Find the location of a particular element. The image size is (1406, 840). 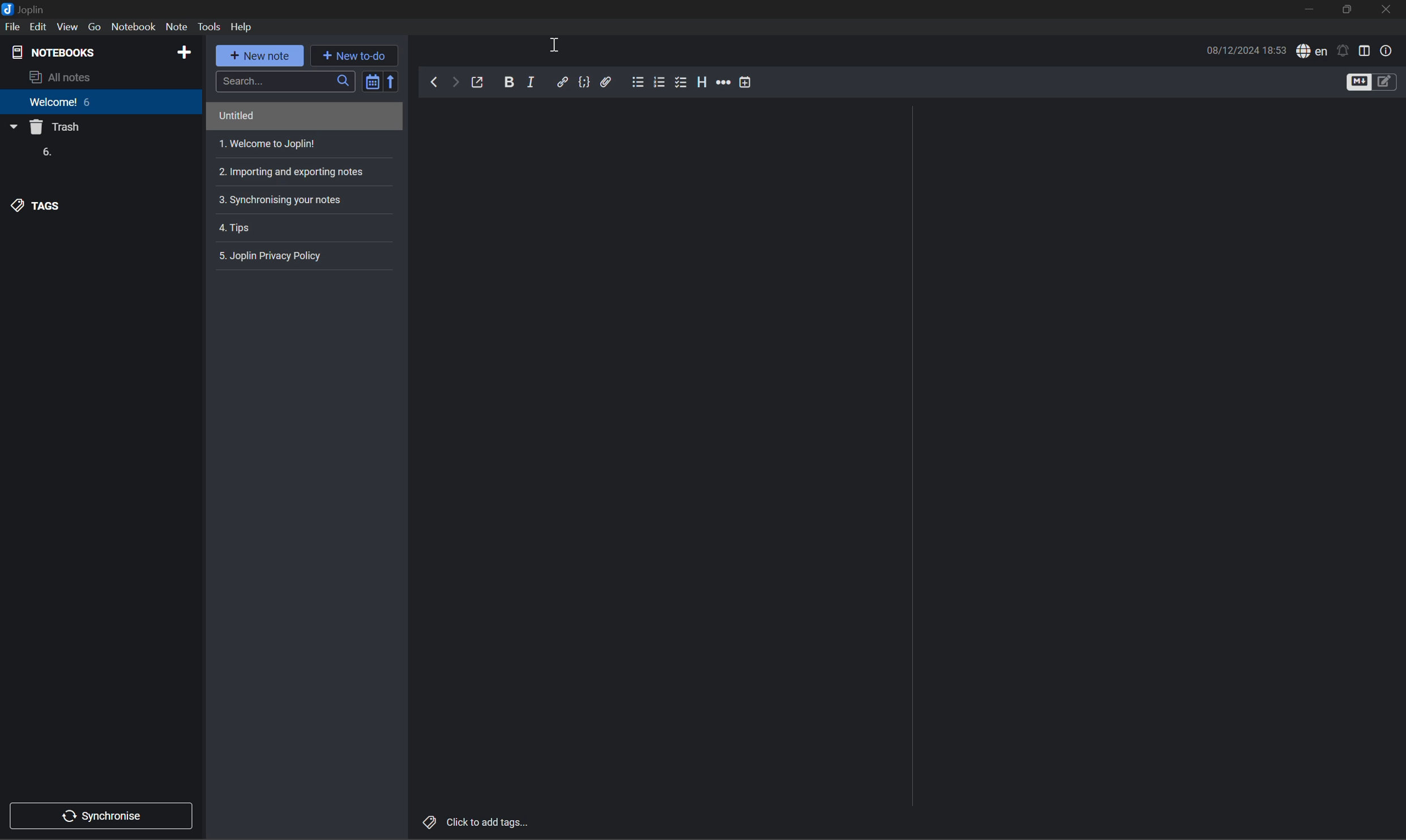

Tools is located at coordinates (211, 27).